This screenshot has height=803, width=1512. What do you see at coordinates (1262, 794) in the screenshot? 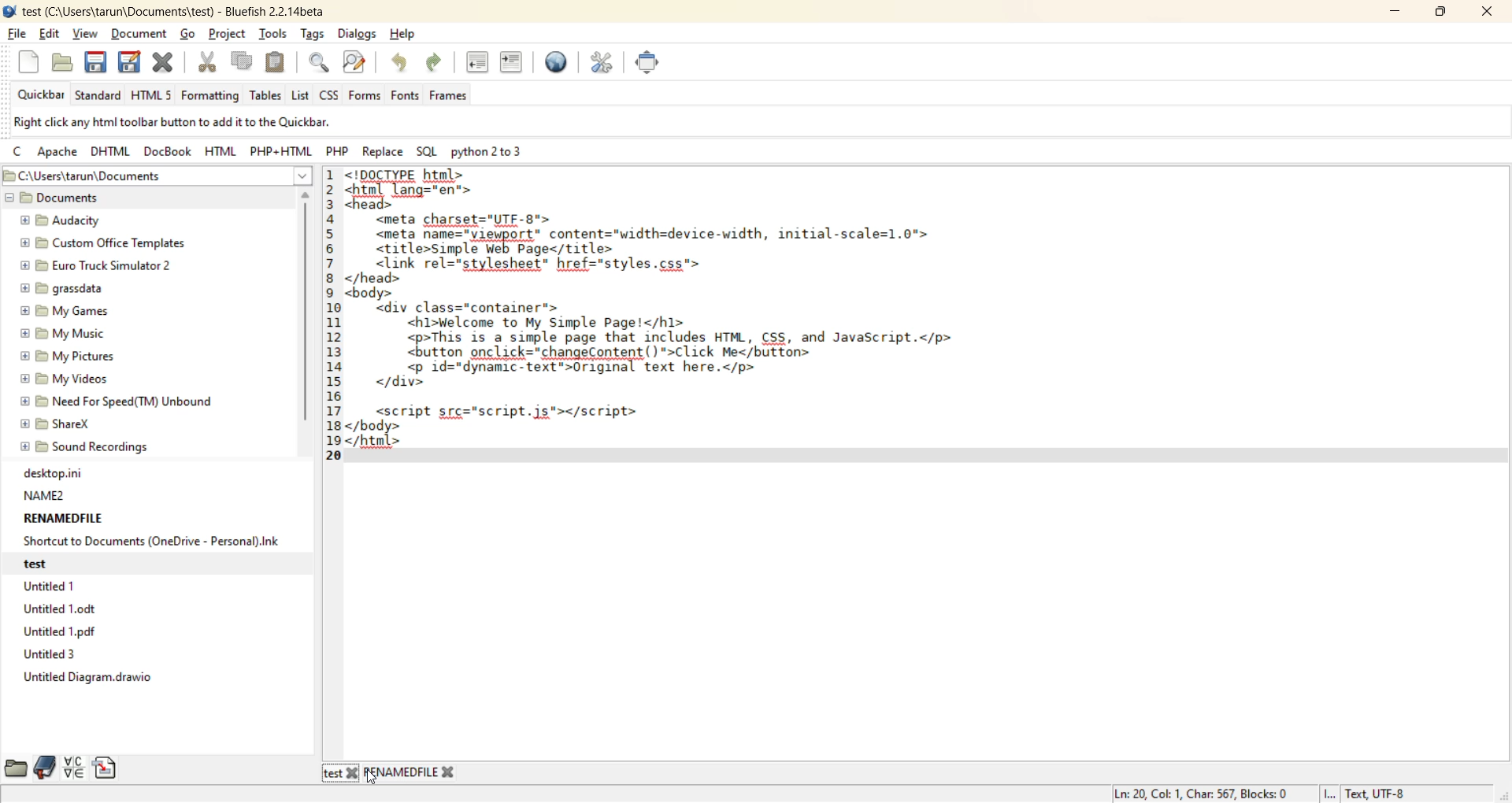
I see `metadata` at bounding box center [1262, 794].